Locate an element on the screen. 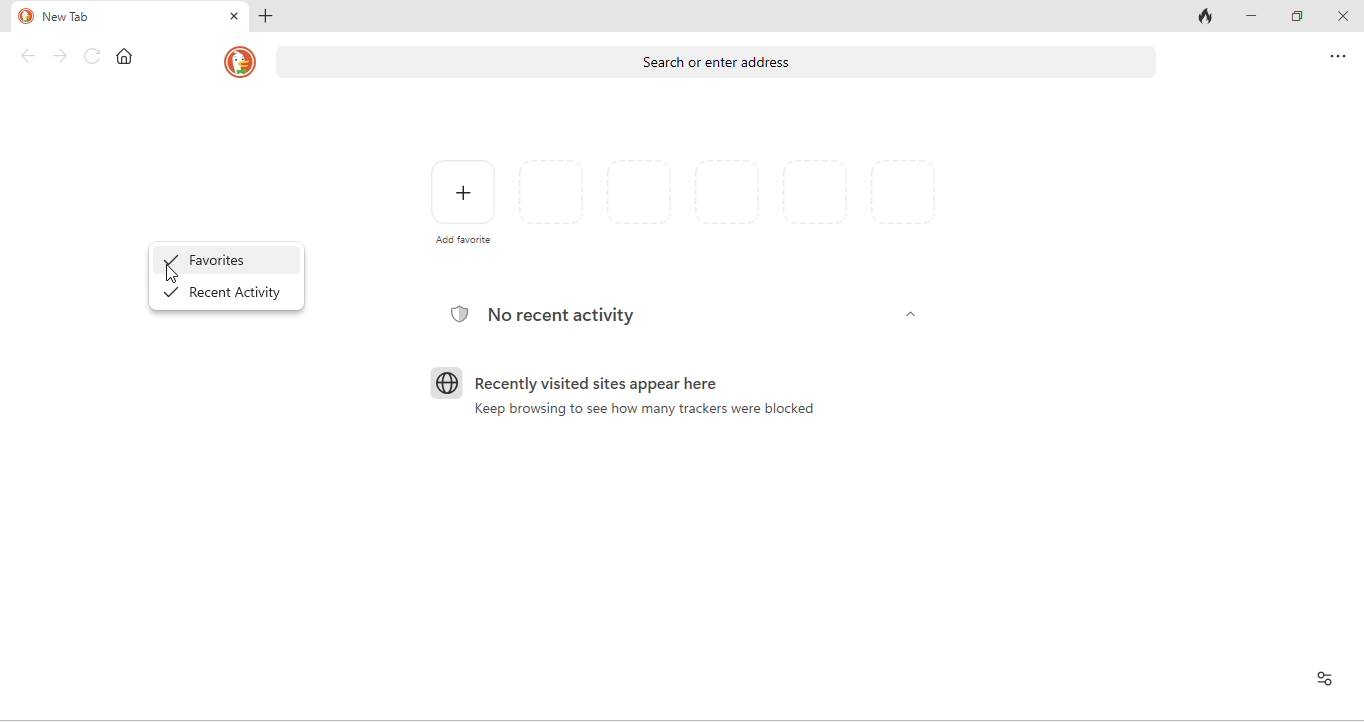 The width and height of the screenshot is (1364, 722). new tab is located at coordinates (68, 18).